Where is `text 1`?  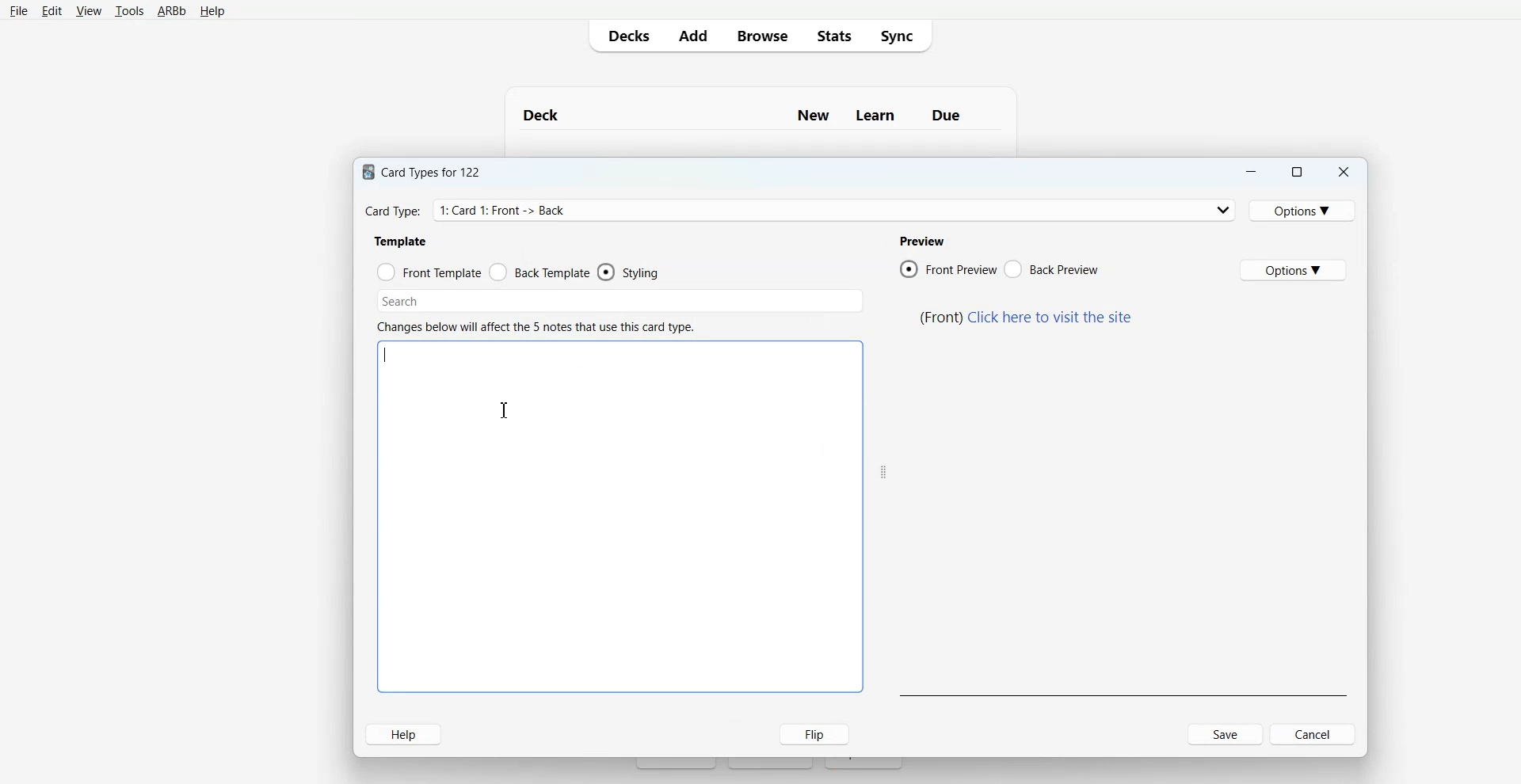 text 1 is located at coordinates (425, 173).